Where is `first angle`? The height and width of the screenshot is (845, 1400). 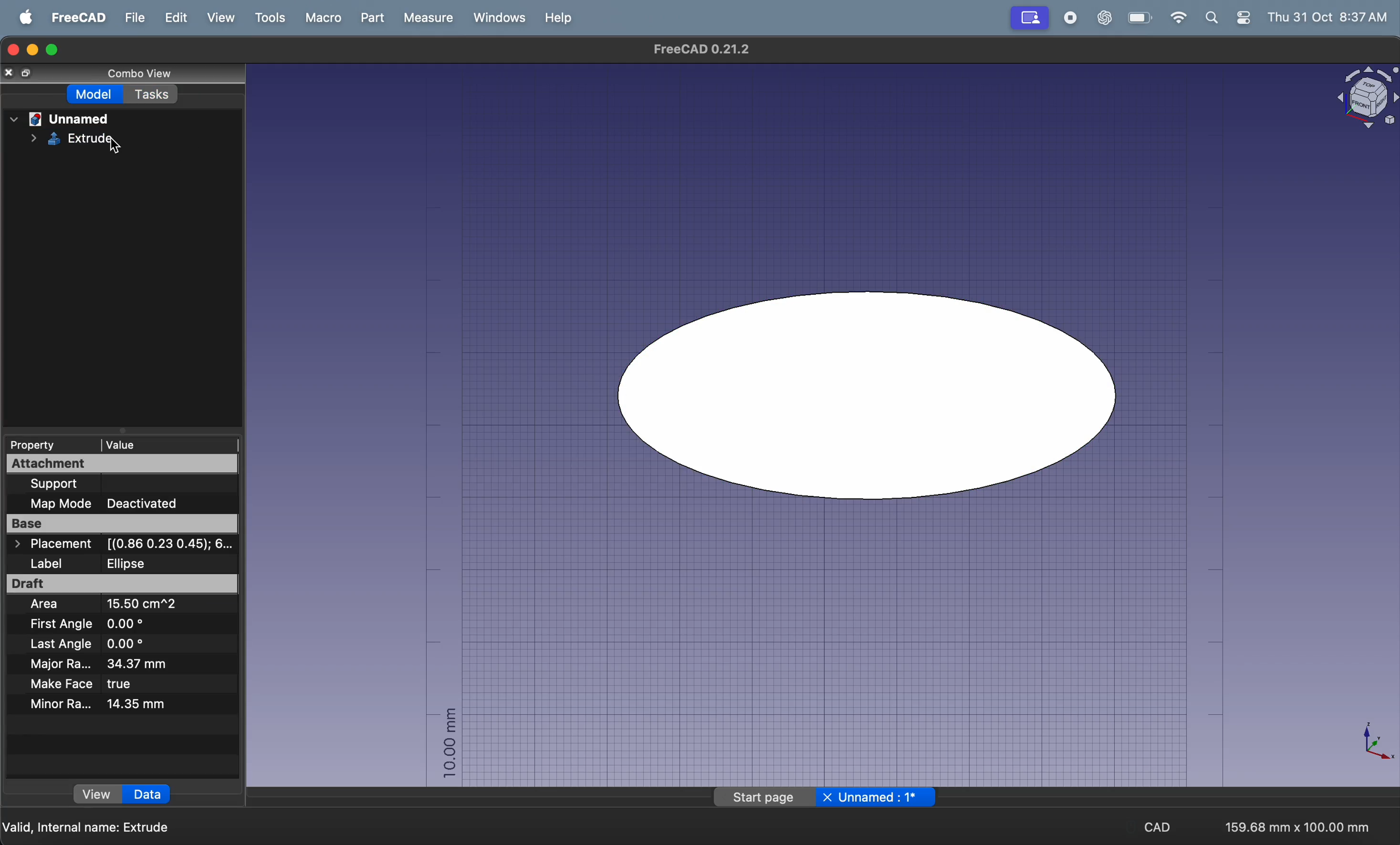 first angle is located at coordinates (107, 625).